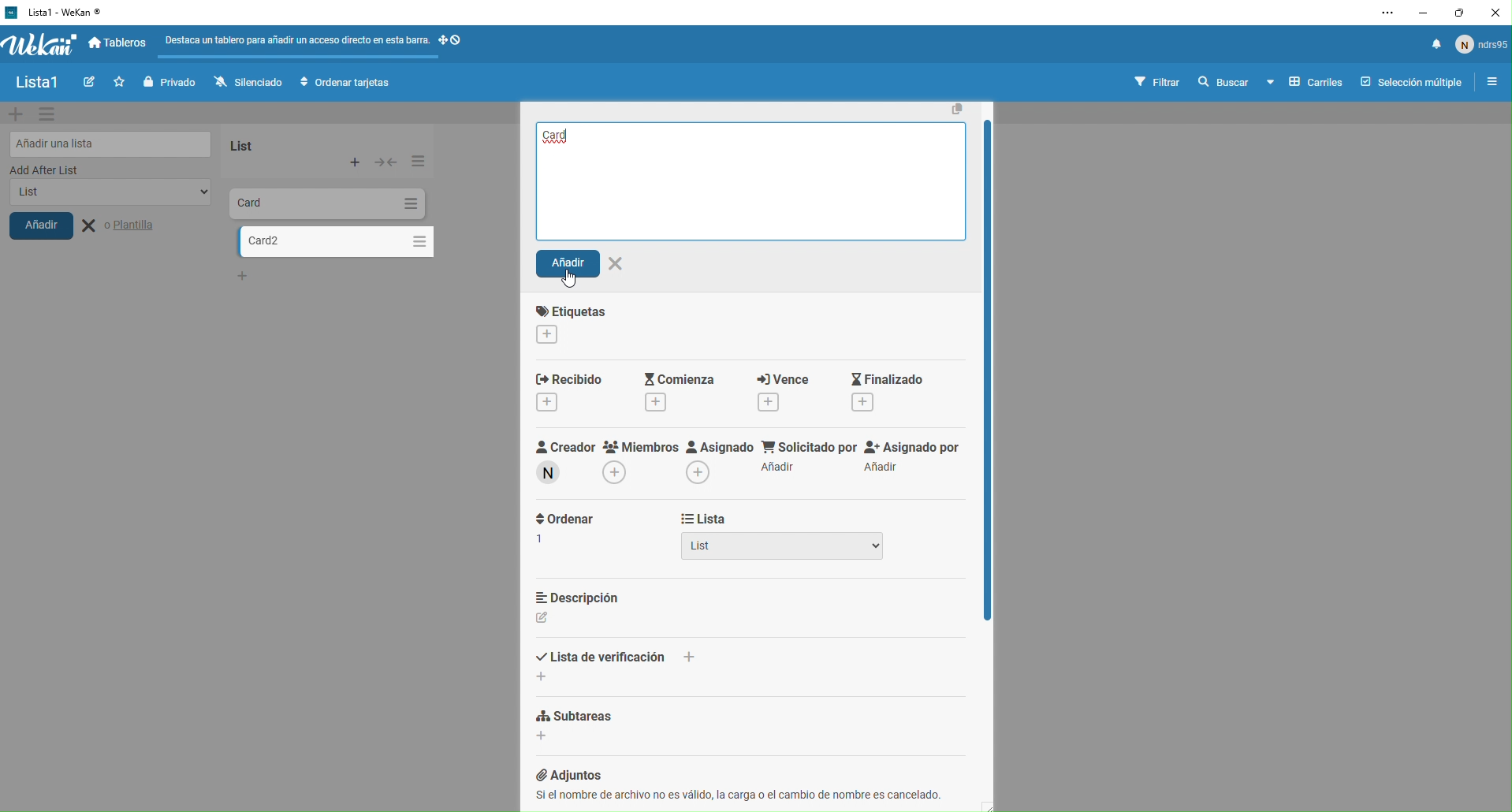  I want to click on Miembros, so click(639, 452).